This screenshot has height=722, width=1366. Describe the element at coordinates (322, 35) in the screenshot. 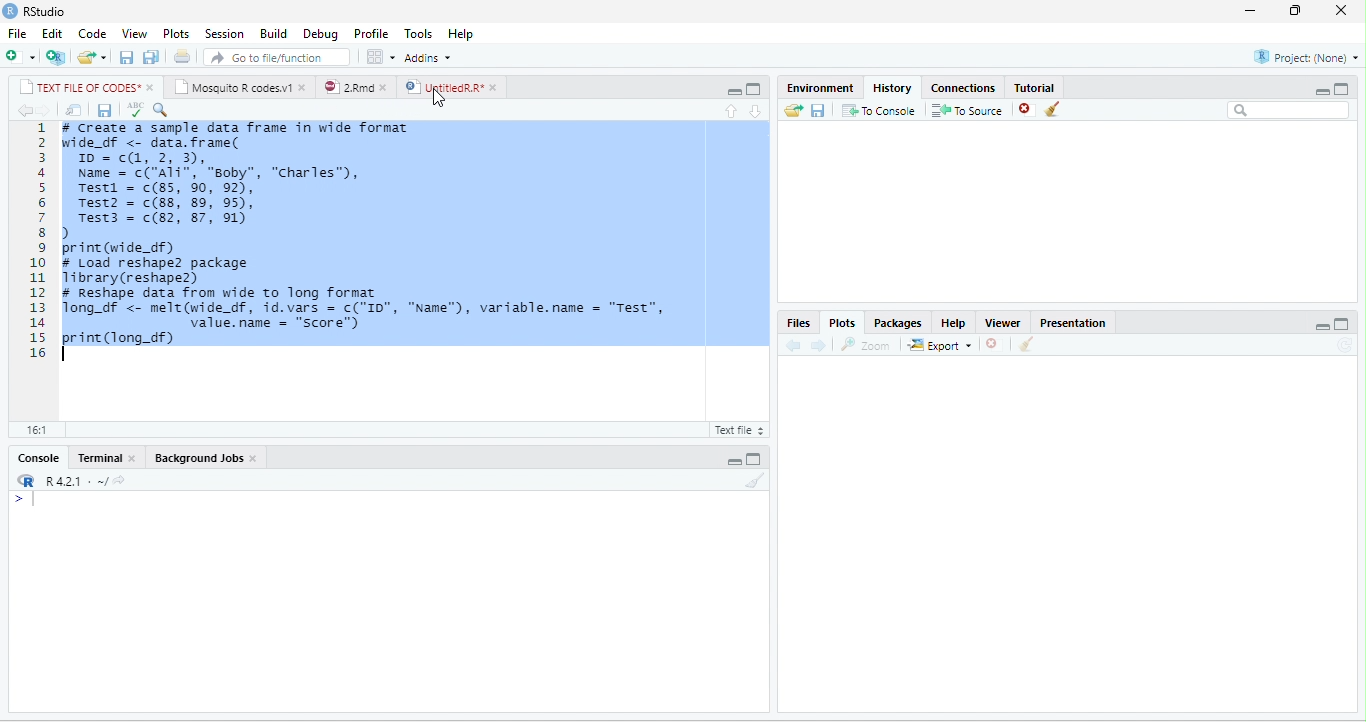

I see `Debug` at that location.